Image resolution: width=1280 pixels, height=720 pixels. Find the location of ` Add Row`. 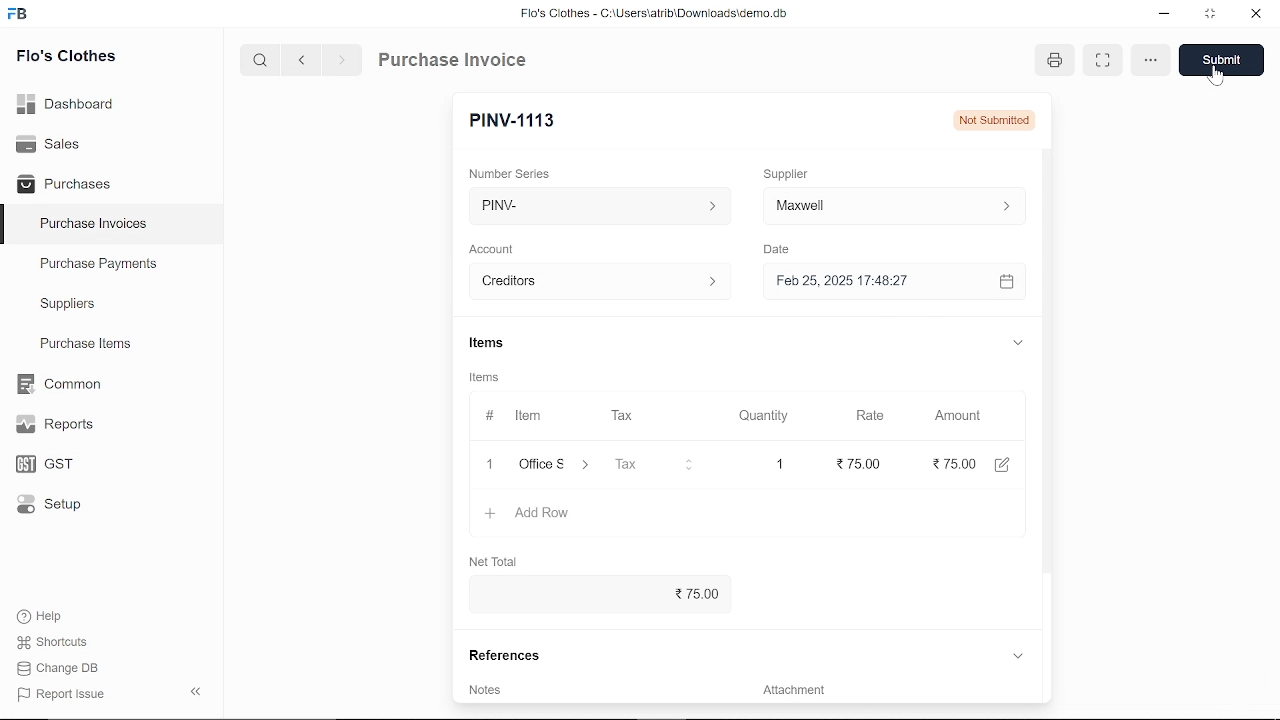

 Add Row is located at coordinates (529, 514).